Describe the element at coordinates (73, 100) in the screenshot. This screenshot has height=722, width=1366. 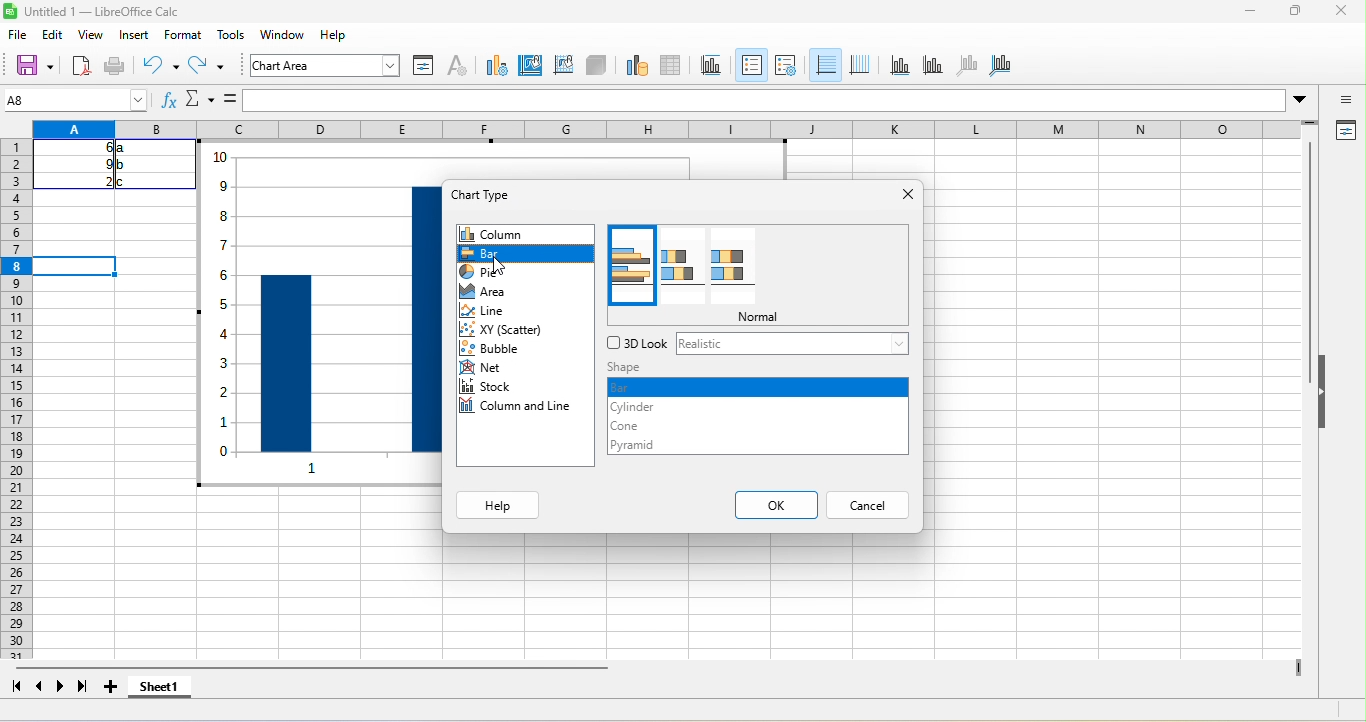
I see `A8` at that location.